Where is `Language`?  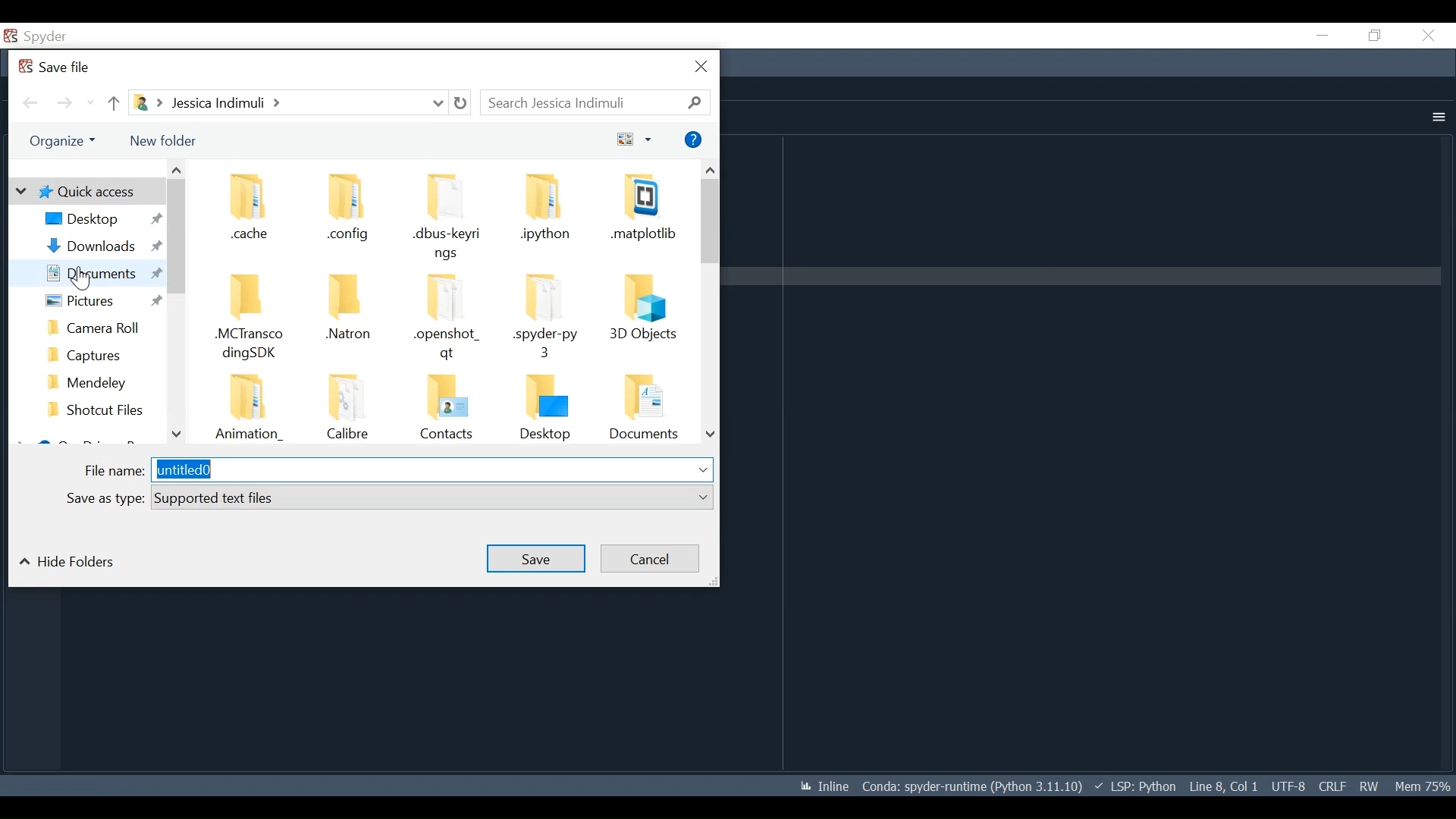 Language is located at coordinates (1131, 786).